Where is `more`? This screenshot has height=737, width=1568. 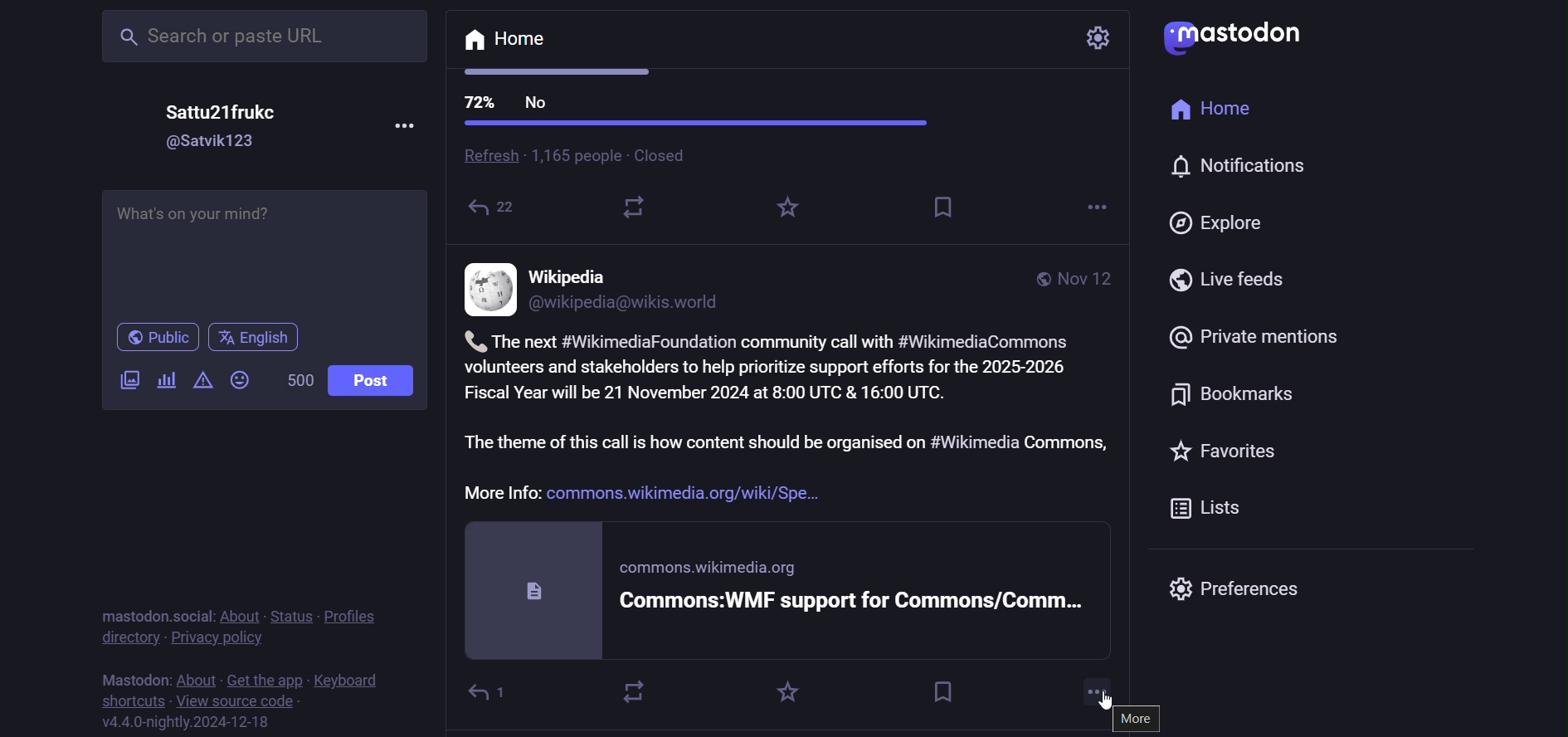 more is located at coordinates (1100, 688).